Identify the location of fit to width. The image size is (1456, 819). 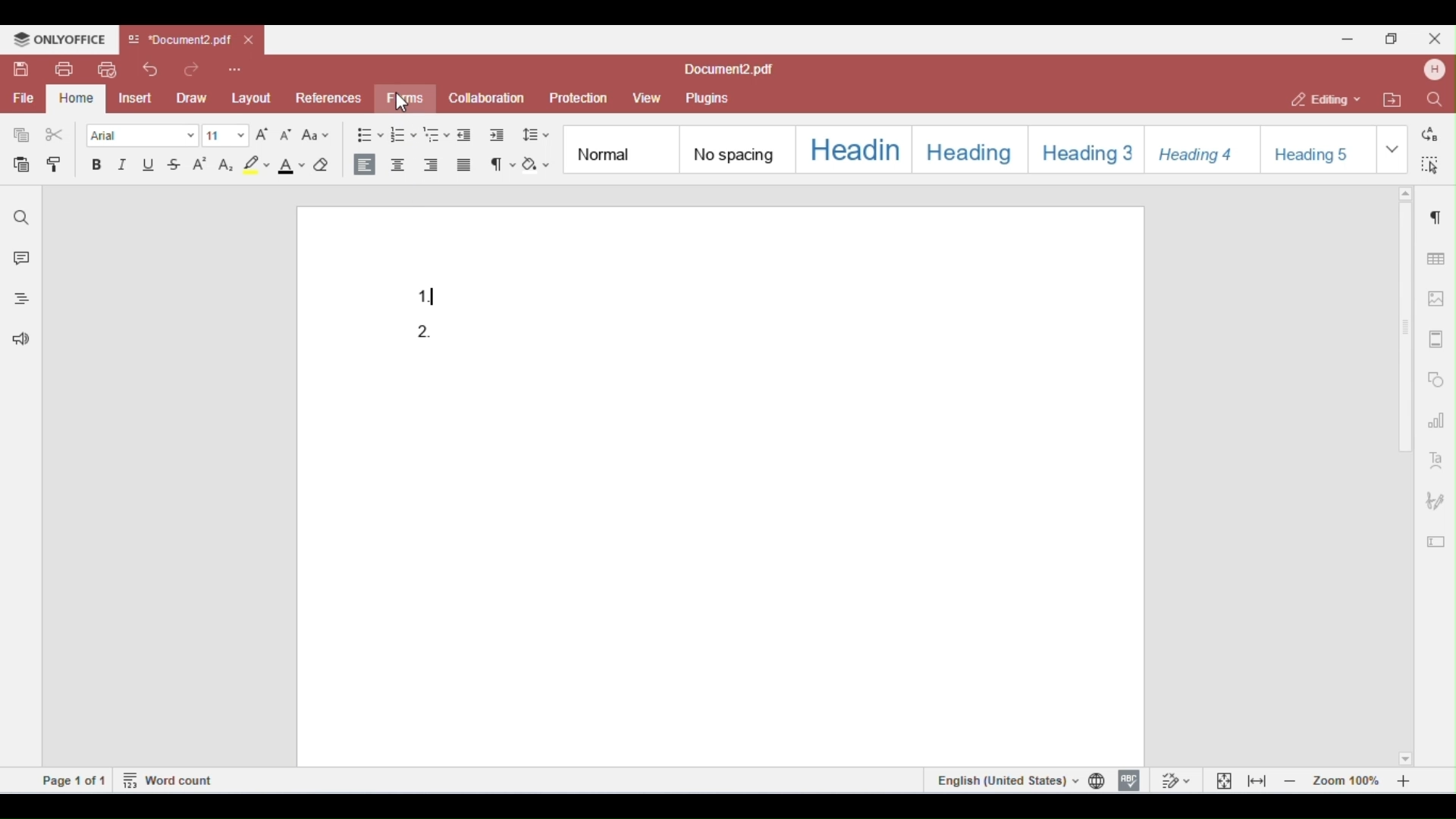
(1257, 780).